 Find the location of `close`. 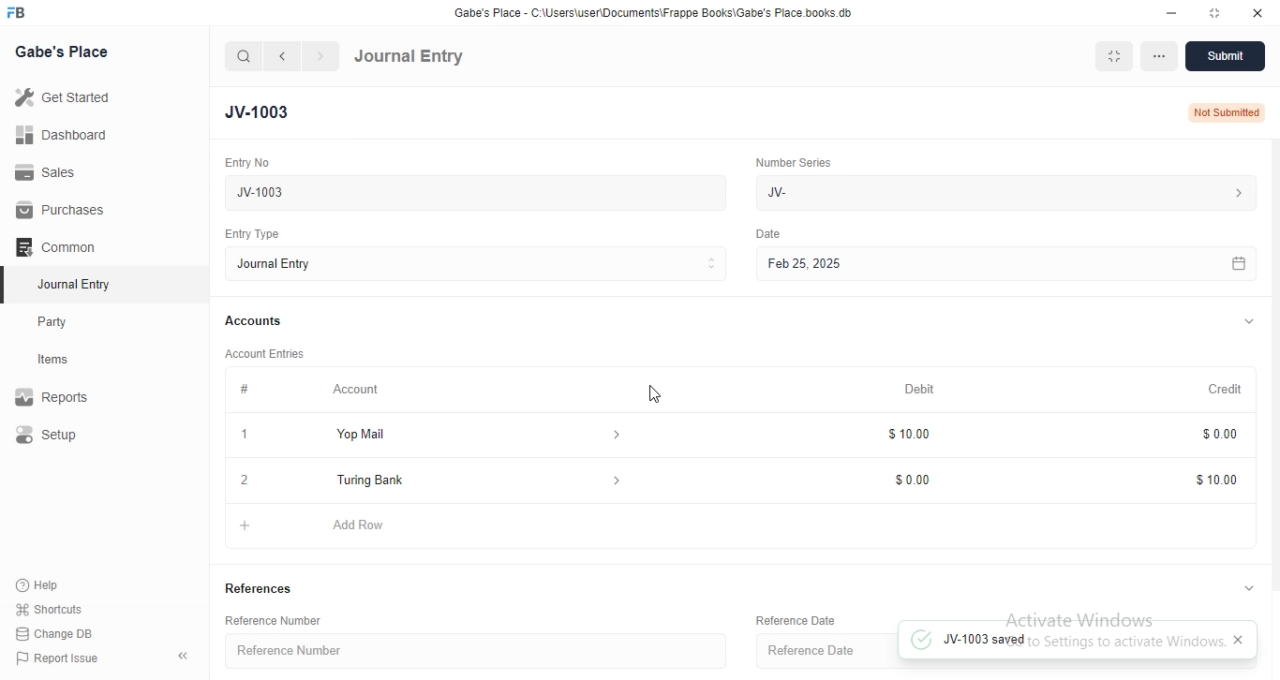

close is located at coordinates (1256, 11).